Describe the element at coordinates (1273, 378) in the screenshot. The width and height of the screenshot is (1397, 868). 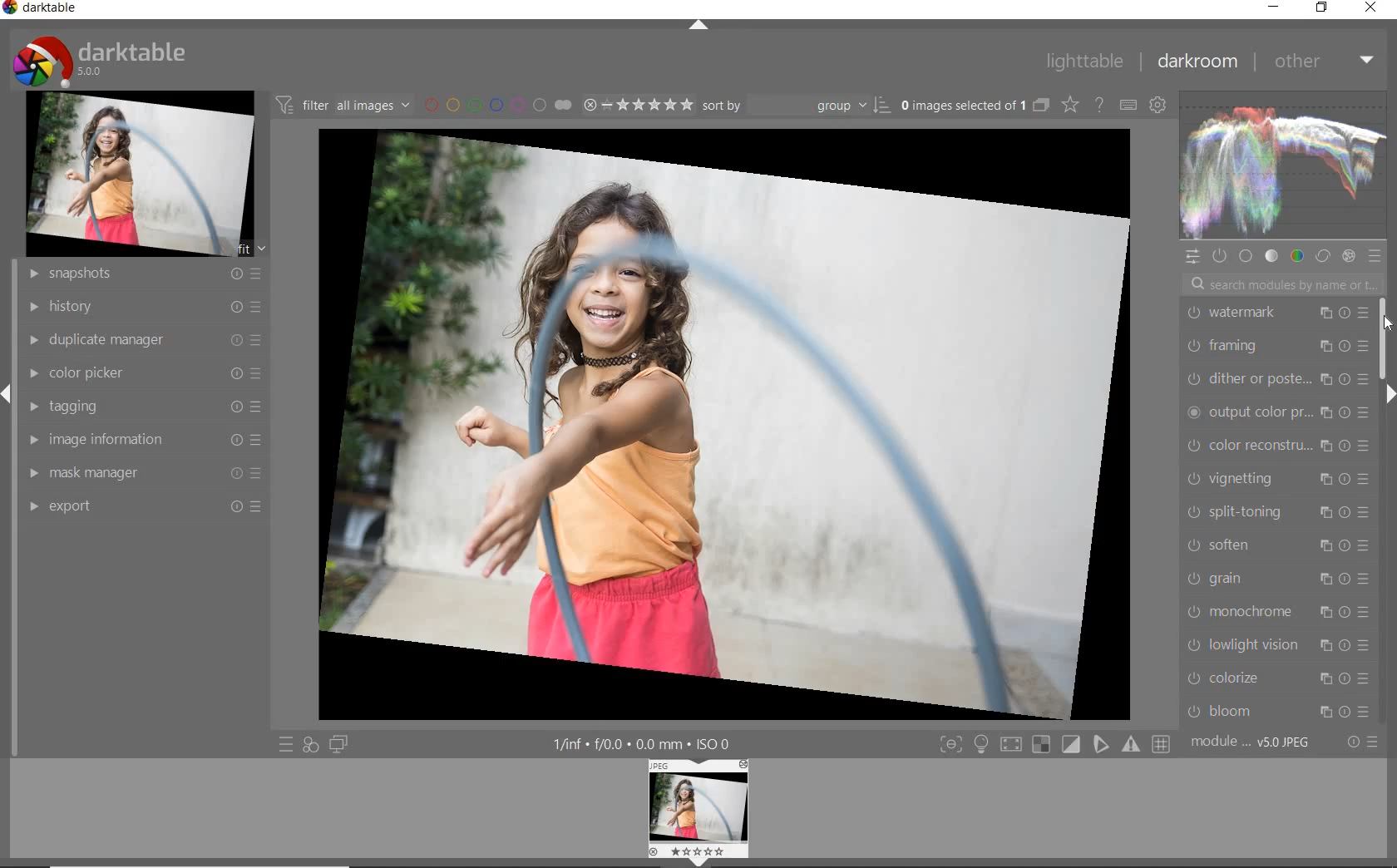
I see `dither or paste` at that location.